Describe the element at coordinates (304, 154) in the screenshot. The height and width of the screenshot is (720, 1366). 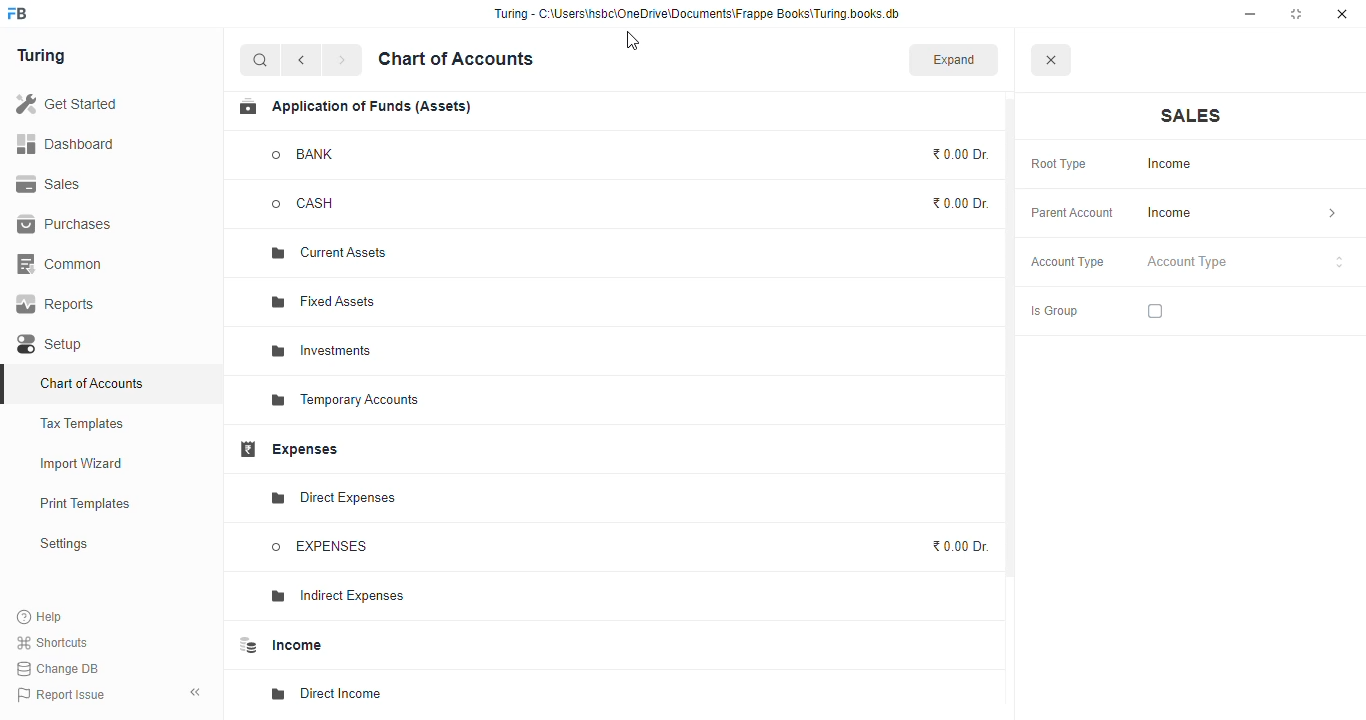
I see `BANK ` at that location.